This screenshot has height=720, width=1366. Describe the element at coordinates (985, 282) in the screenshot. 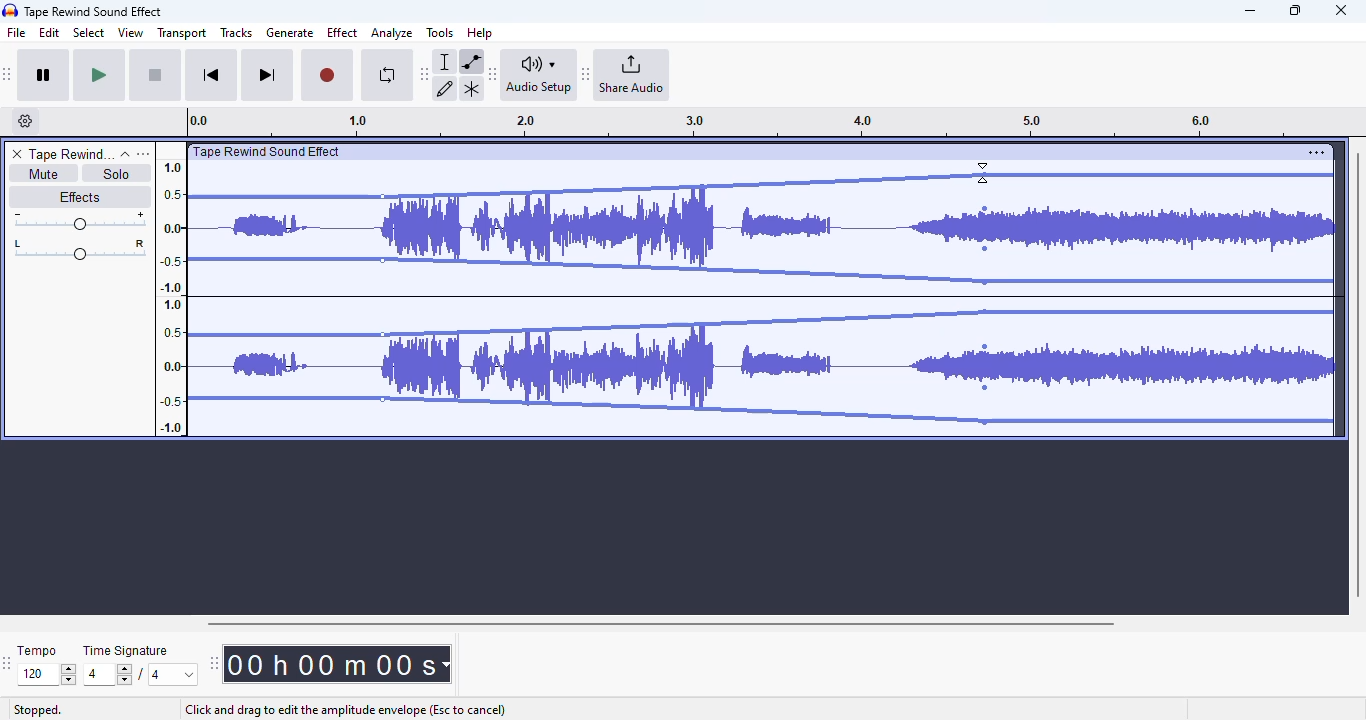

I see `Control point` at that location.